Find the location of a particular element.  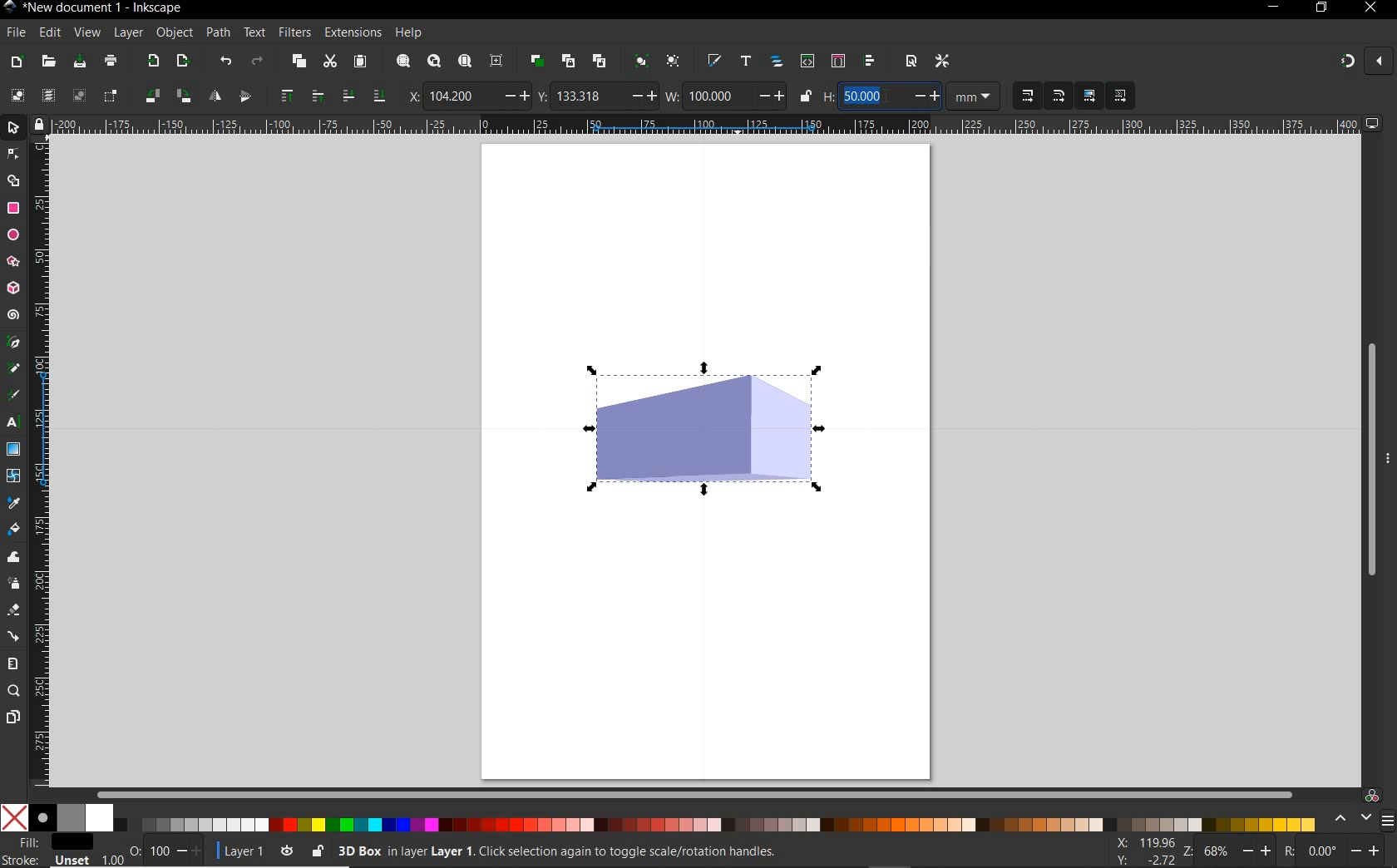

extensions is located at coordinates (351, 33).